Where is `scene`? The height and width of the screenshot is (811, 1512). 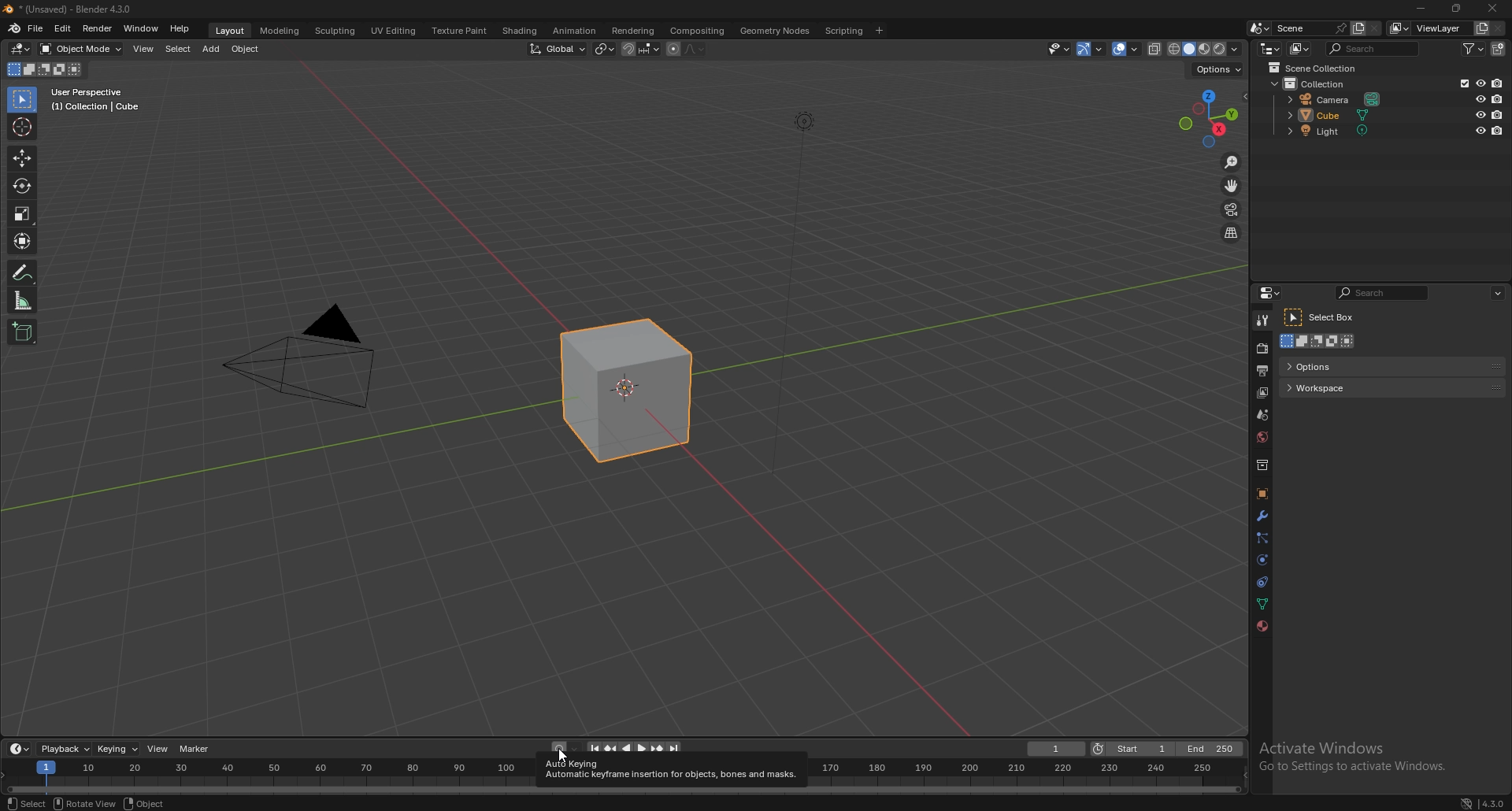
scene is located at coordinates (1311, 28).